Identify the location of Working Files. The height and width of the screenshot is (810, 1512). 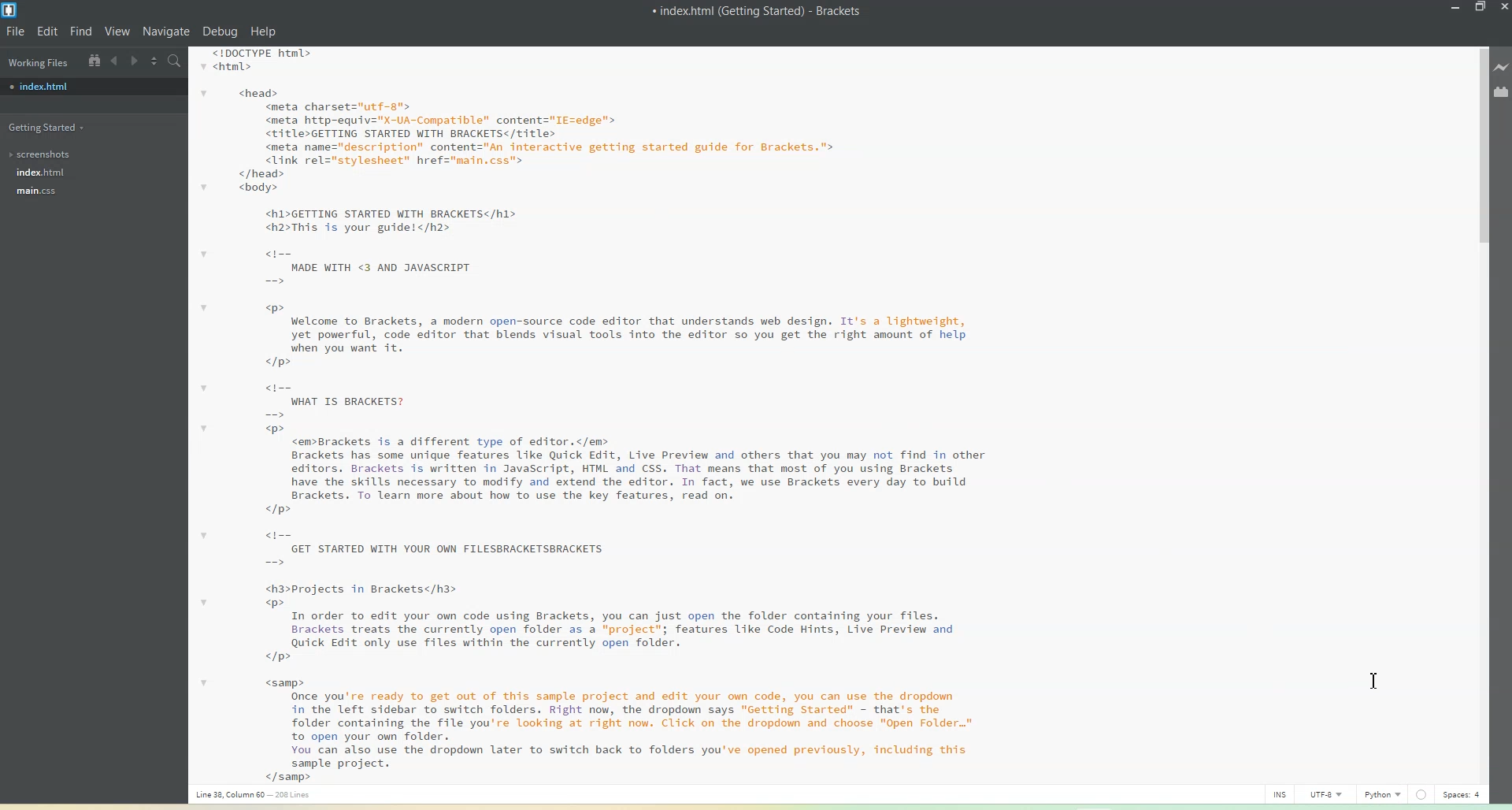
(37, 61).